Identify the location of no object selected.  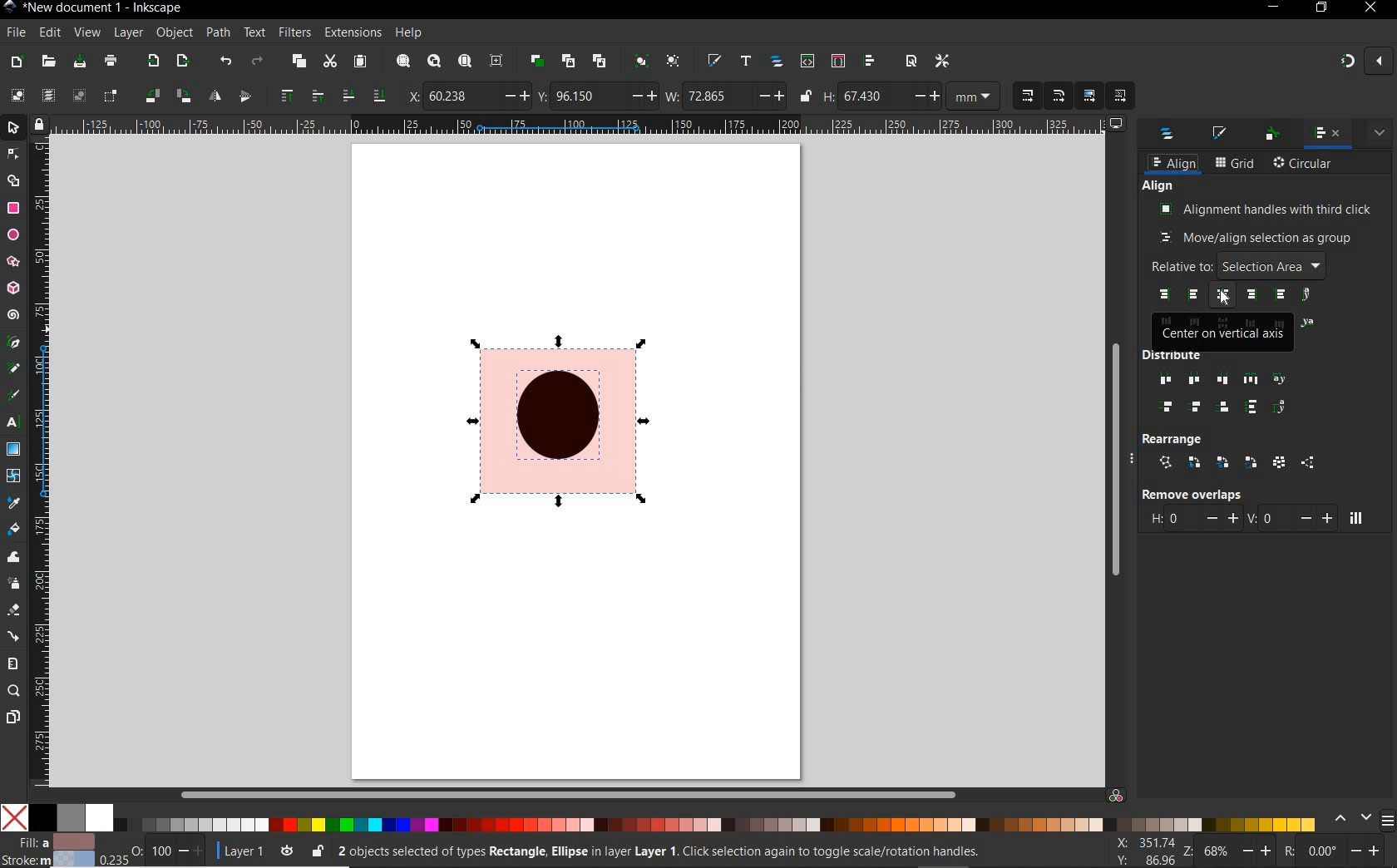
(679, 854).